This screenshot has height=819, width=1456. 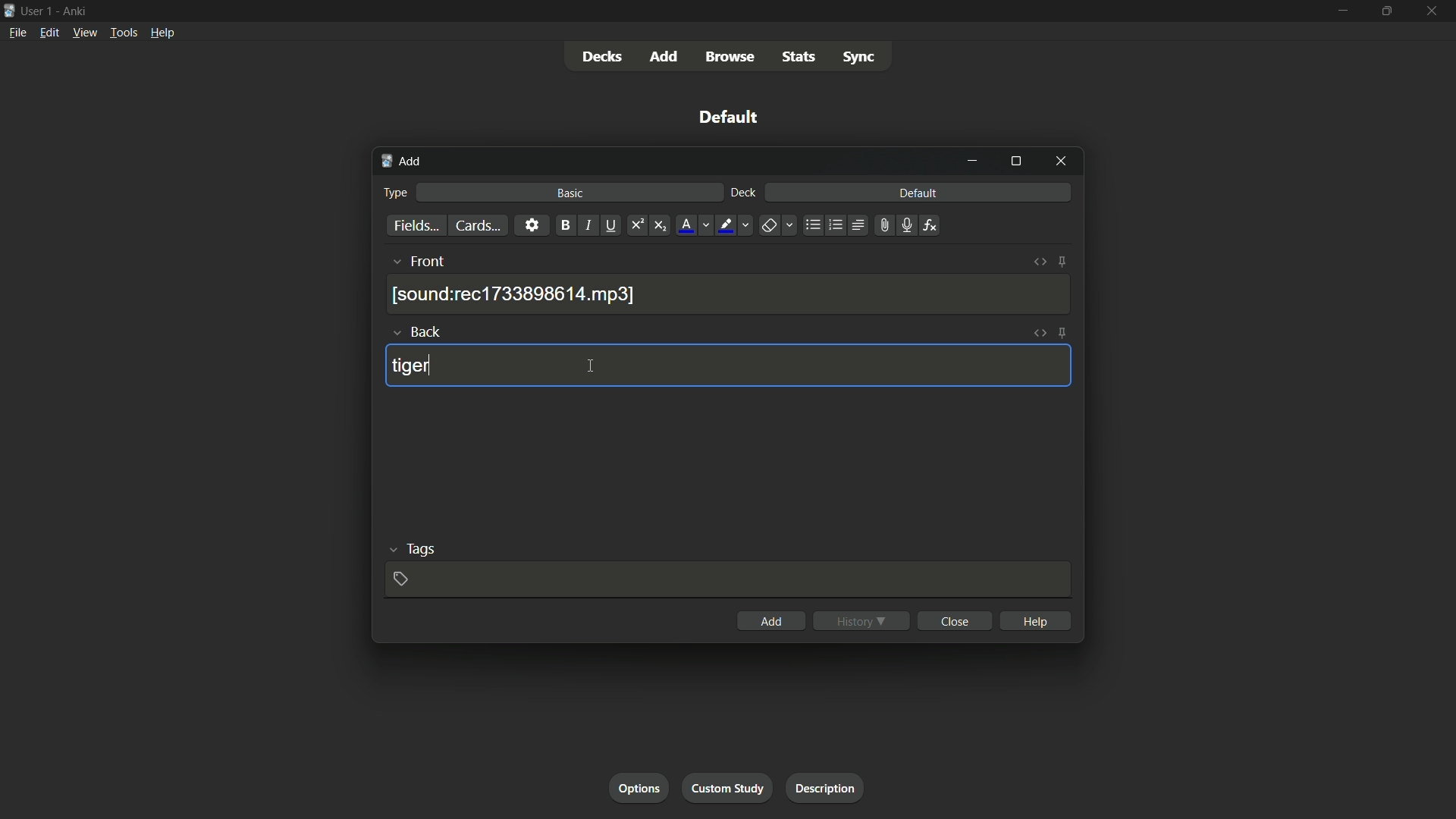 What do you see at coordinates (1040, 263) in the screenshot?
I see `toggle html editor` at bounding box center [1040, 263].